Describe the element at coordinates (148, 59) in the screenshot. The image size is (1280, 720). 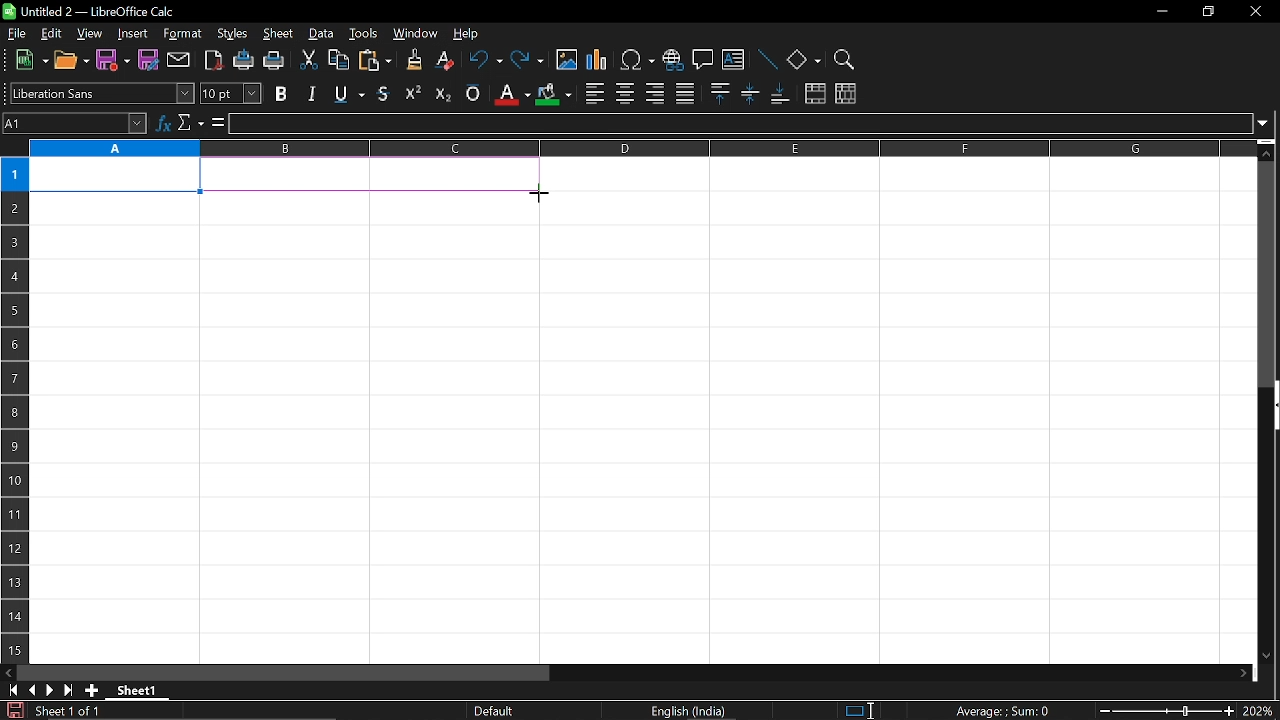
I see `save as` at that location.